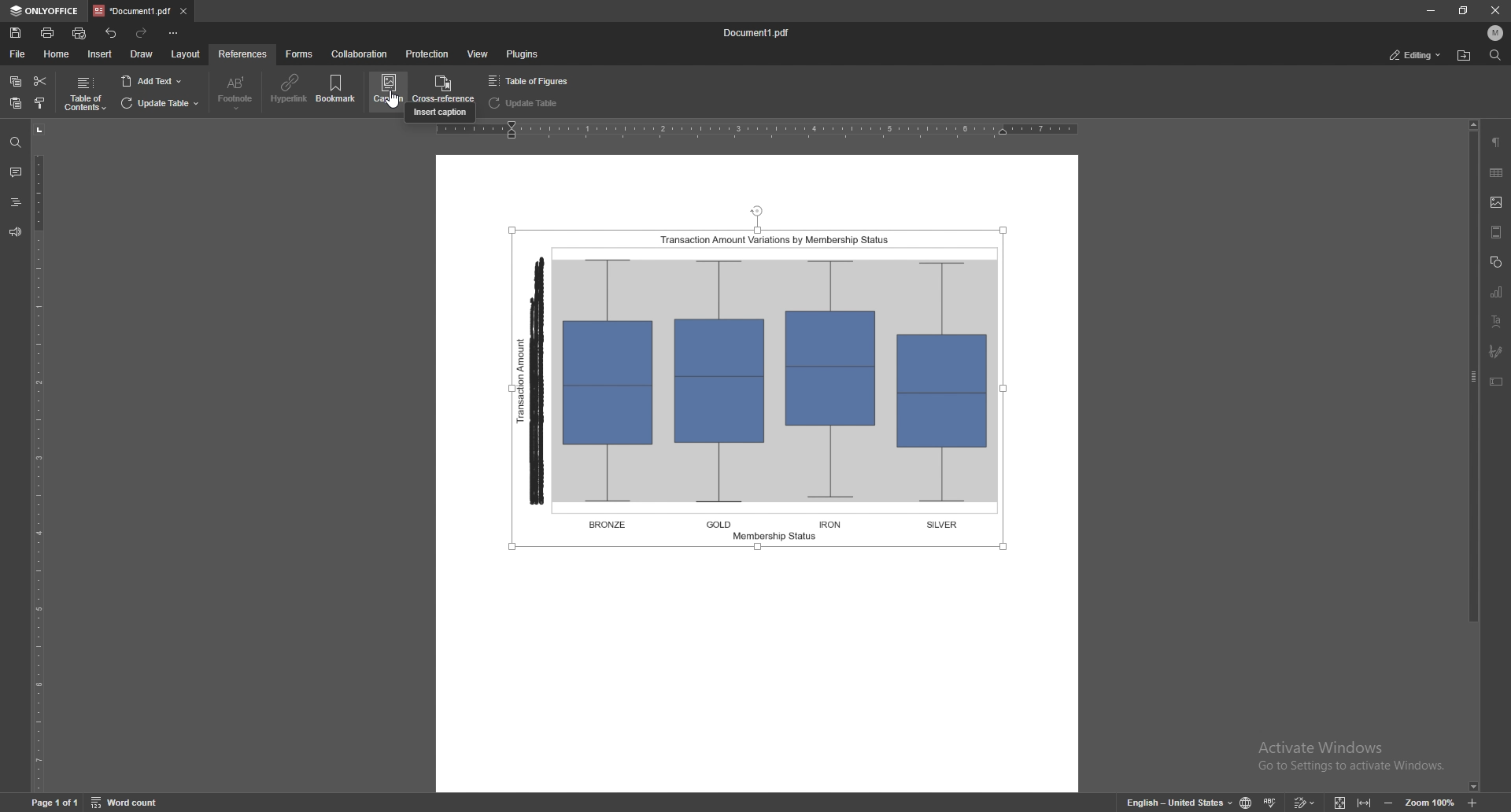 The width and height of the screenshot is (1511, 812). I want to click on file name, so click(756, 33).